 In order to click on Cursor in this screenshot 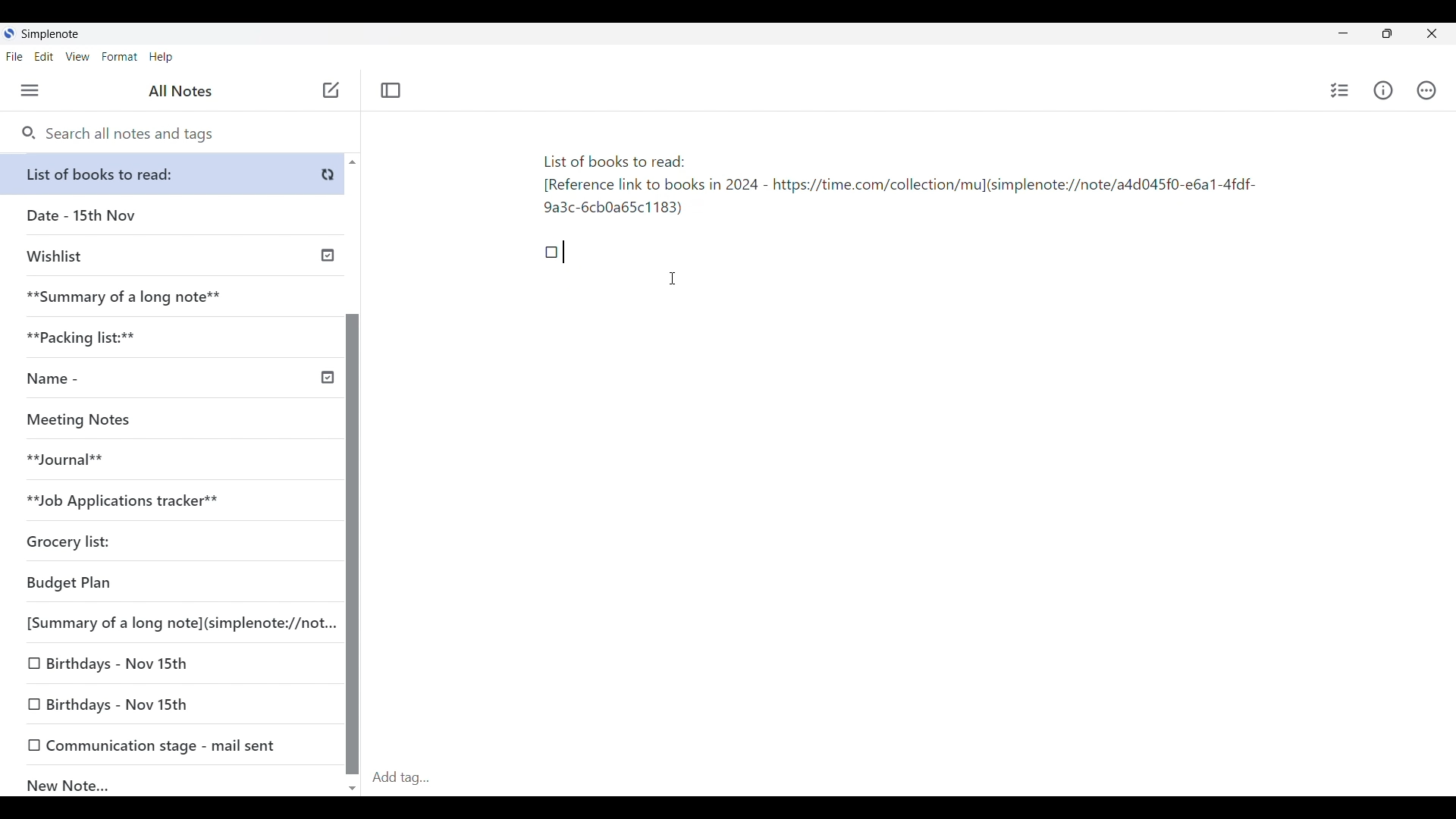, I will do `click(674, 278)`.